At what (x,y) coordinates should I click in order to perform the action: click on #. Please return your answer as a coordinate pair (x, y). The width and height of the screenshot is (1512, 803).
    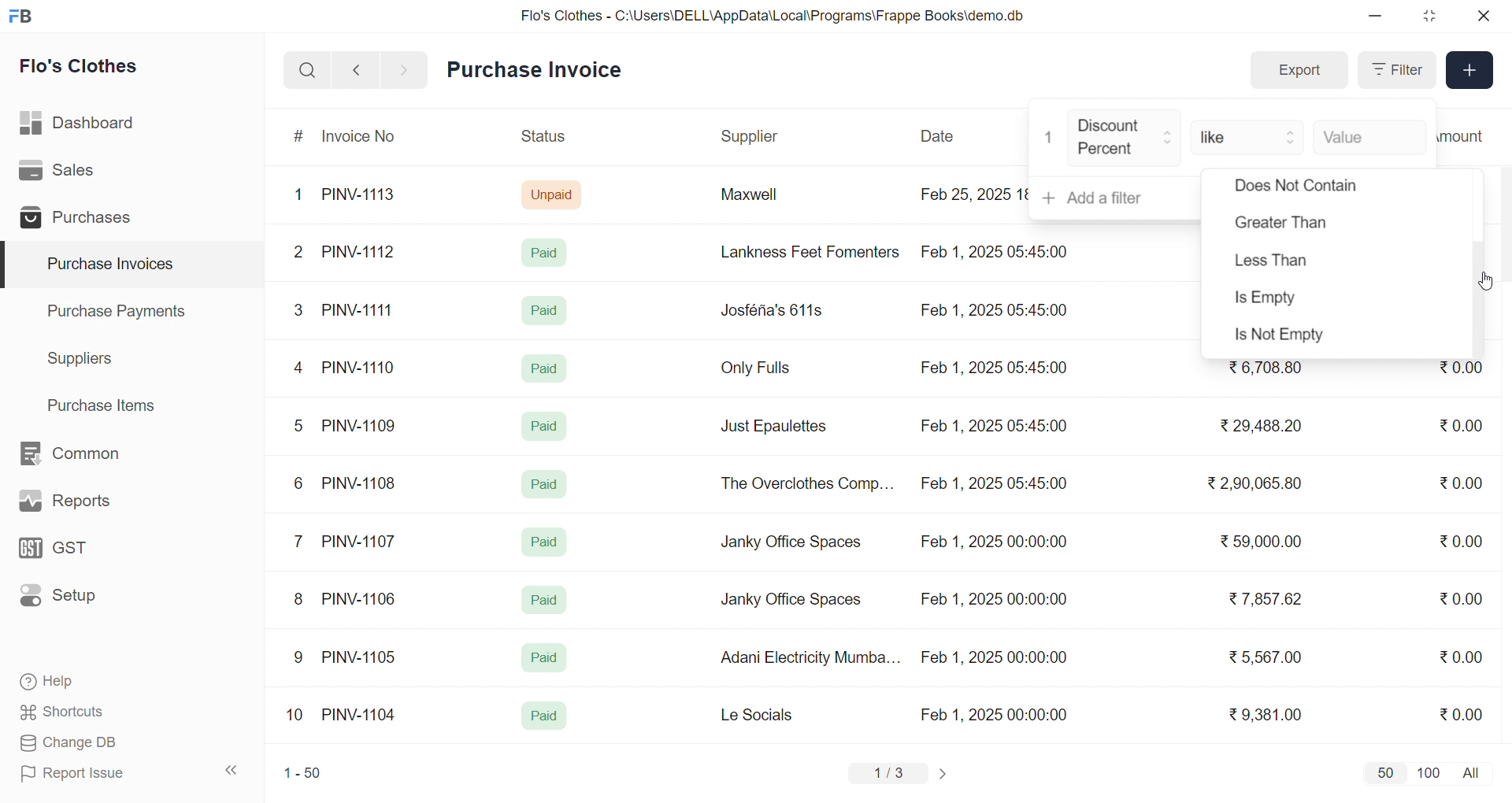
    Looking at the image, I should click on (299, 138).